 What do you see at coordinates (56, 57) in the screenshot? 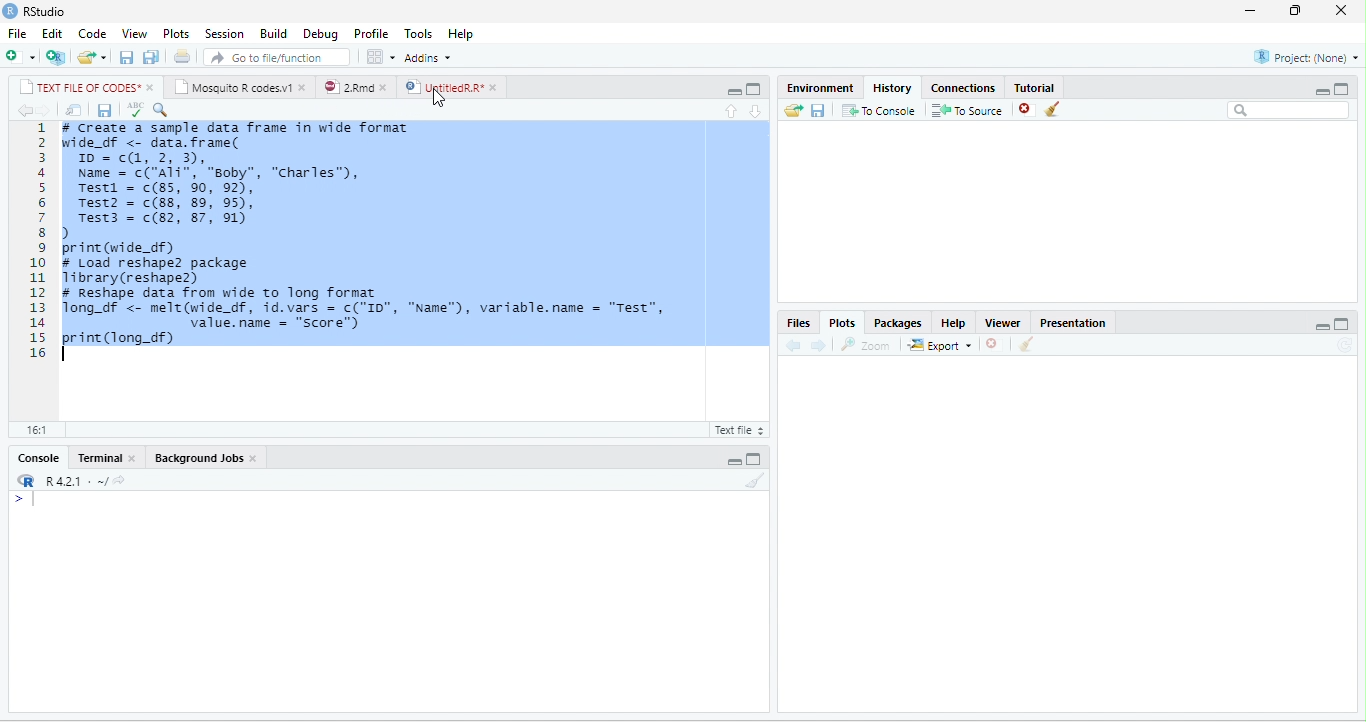
I see `new project` at bounding box center [56, 57].